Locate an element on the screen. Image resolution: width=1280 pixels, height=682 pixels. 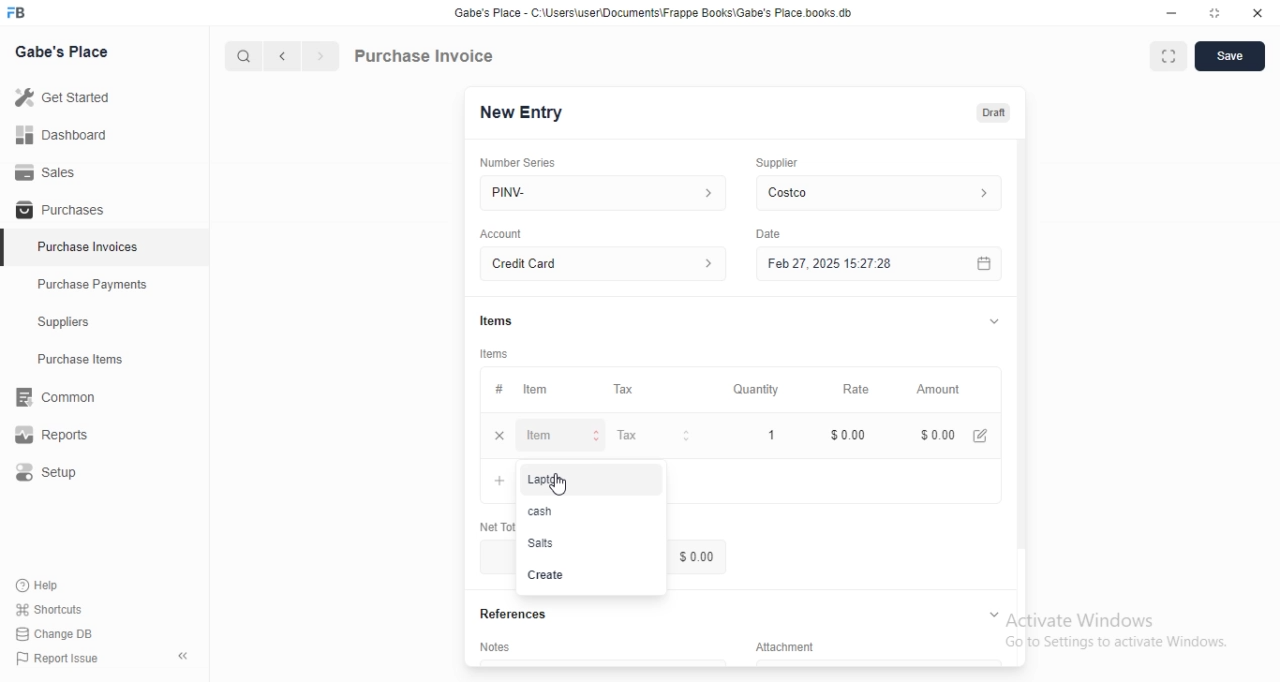
Tax is located at coordinates (651, 435).